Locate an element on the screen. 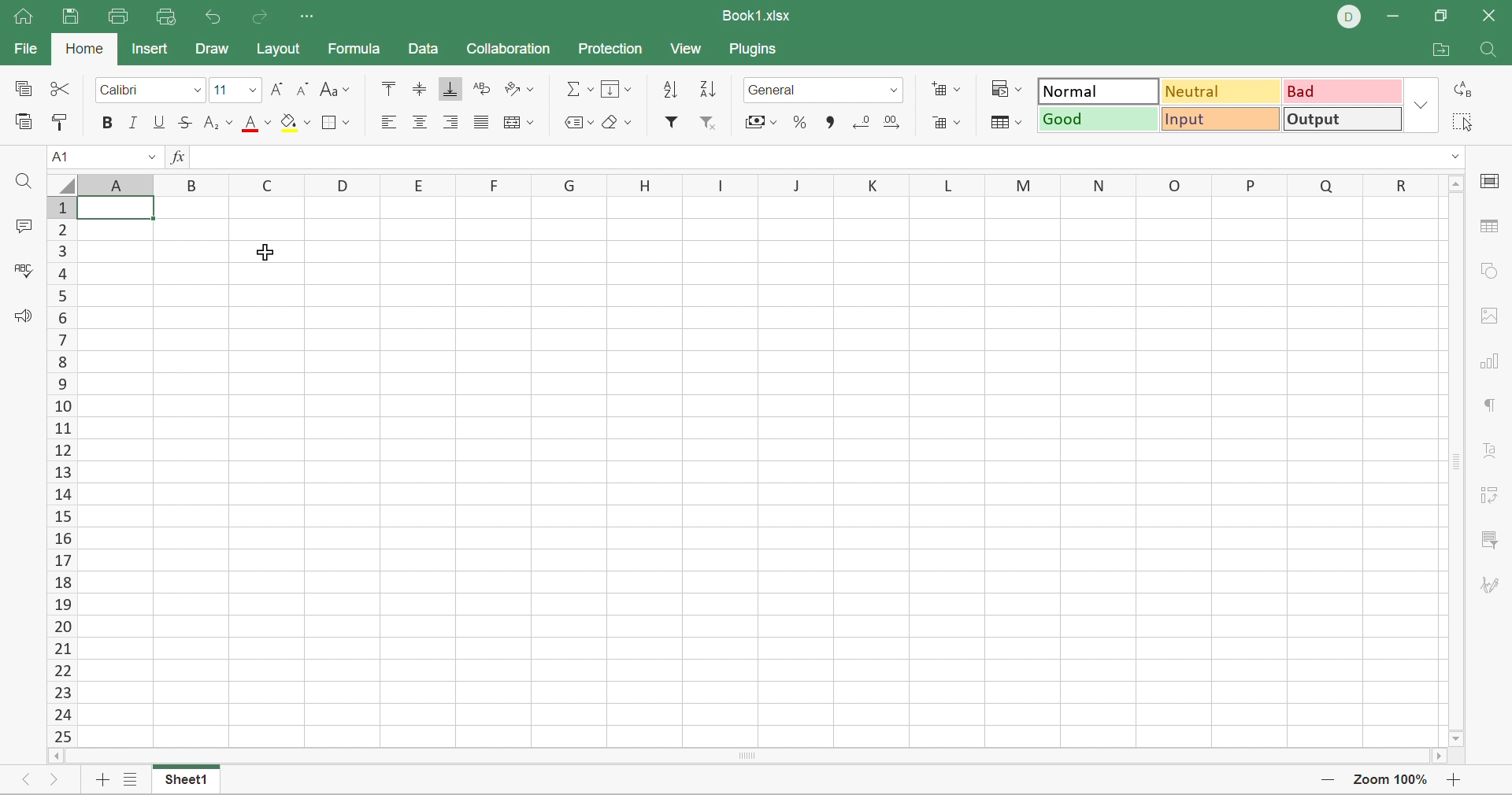 The image size is (1512, 795). File is located at coordinates (27, 48).